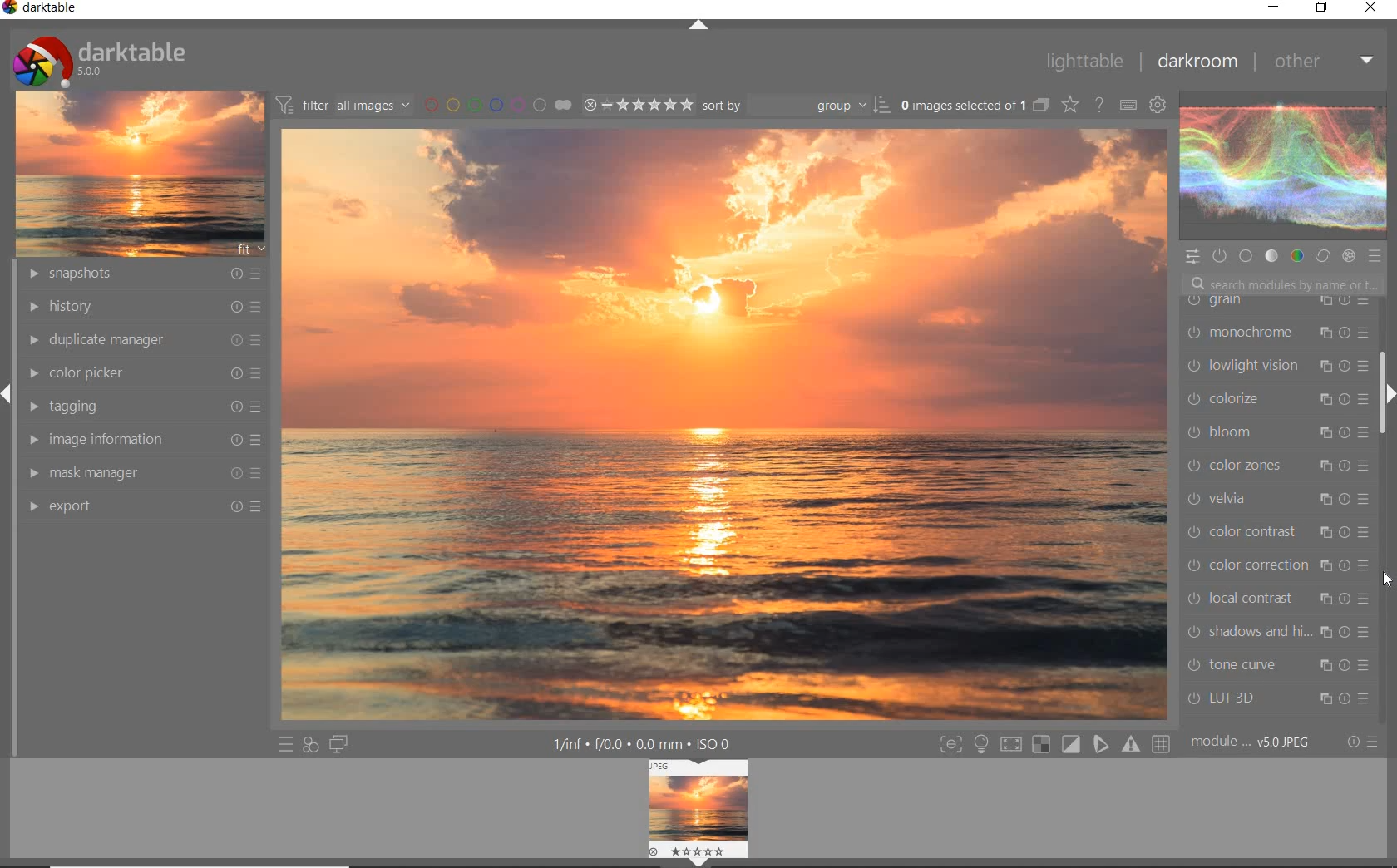 The width and height of the screenshot is (1397, 868). Describe the element at coordinates (1275, 467) in the screenshot. I see `color zones` at that location.